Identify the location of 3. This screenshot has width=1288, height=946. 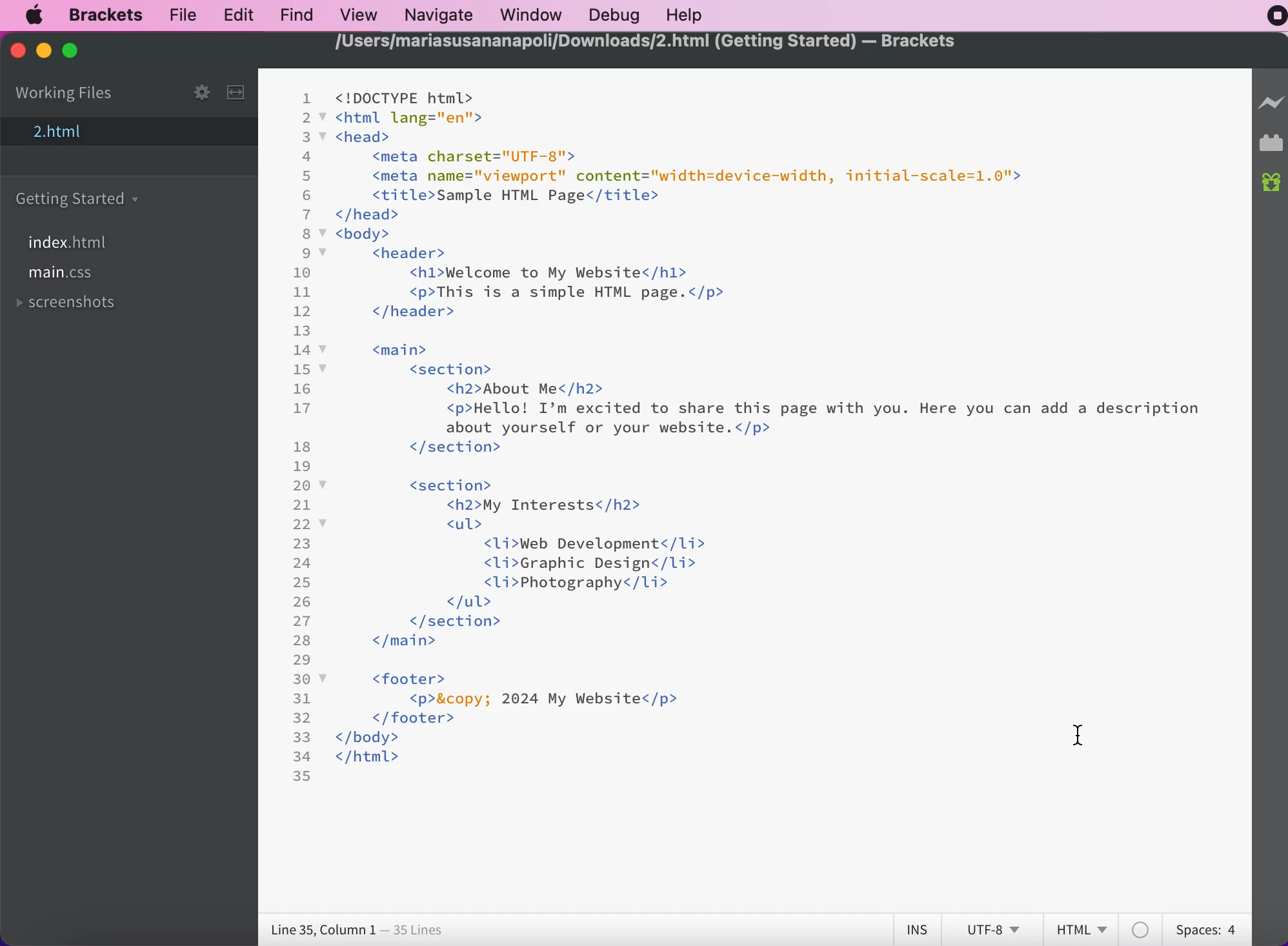
(308, 137).